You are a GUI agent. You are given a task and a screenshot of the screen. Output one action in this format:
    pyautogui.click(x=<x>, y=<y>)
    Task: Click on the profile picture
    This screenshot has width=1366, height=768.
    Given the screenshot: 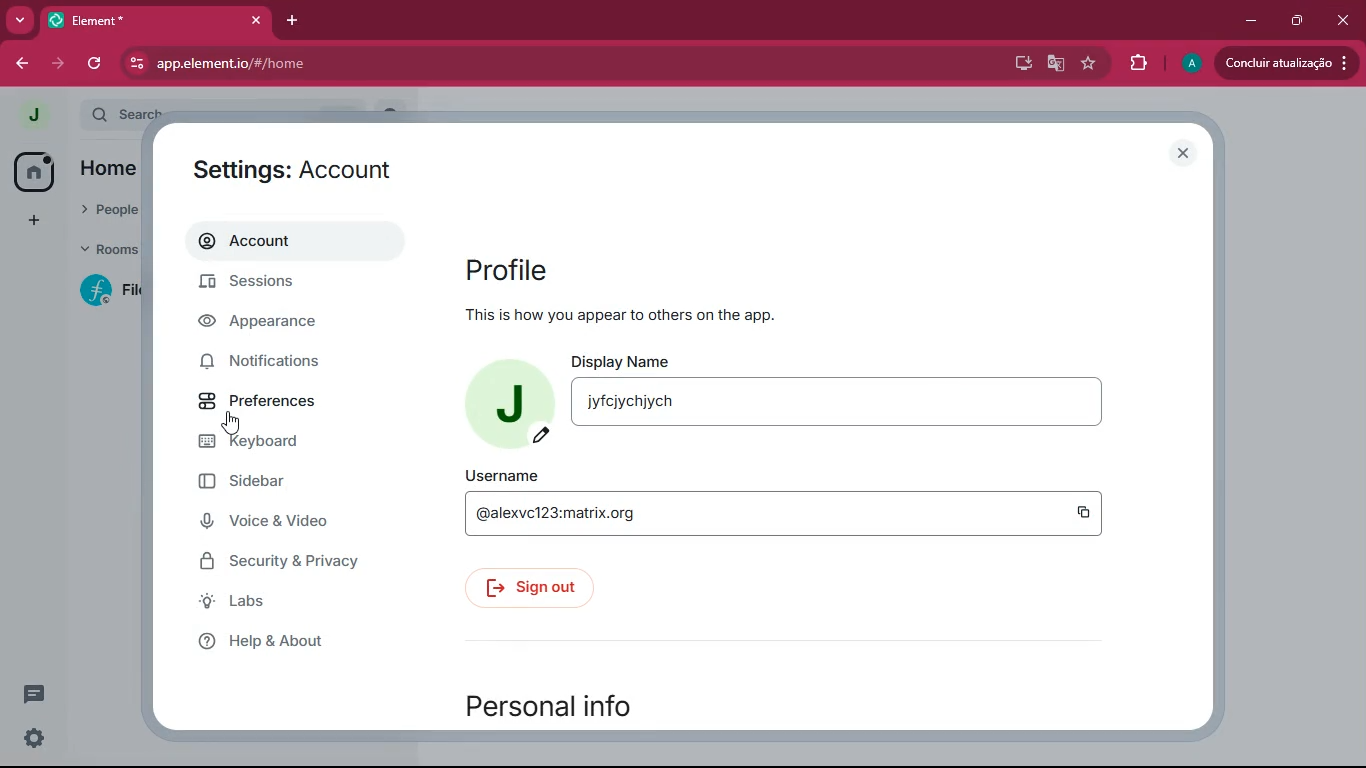 What is the action you would take?
    pyautogui.click(x=28, y=114)
    